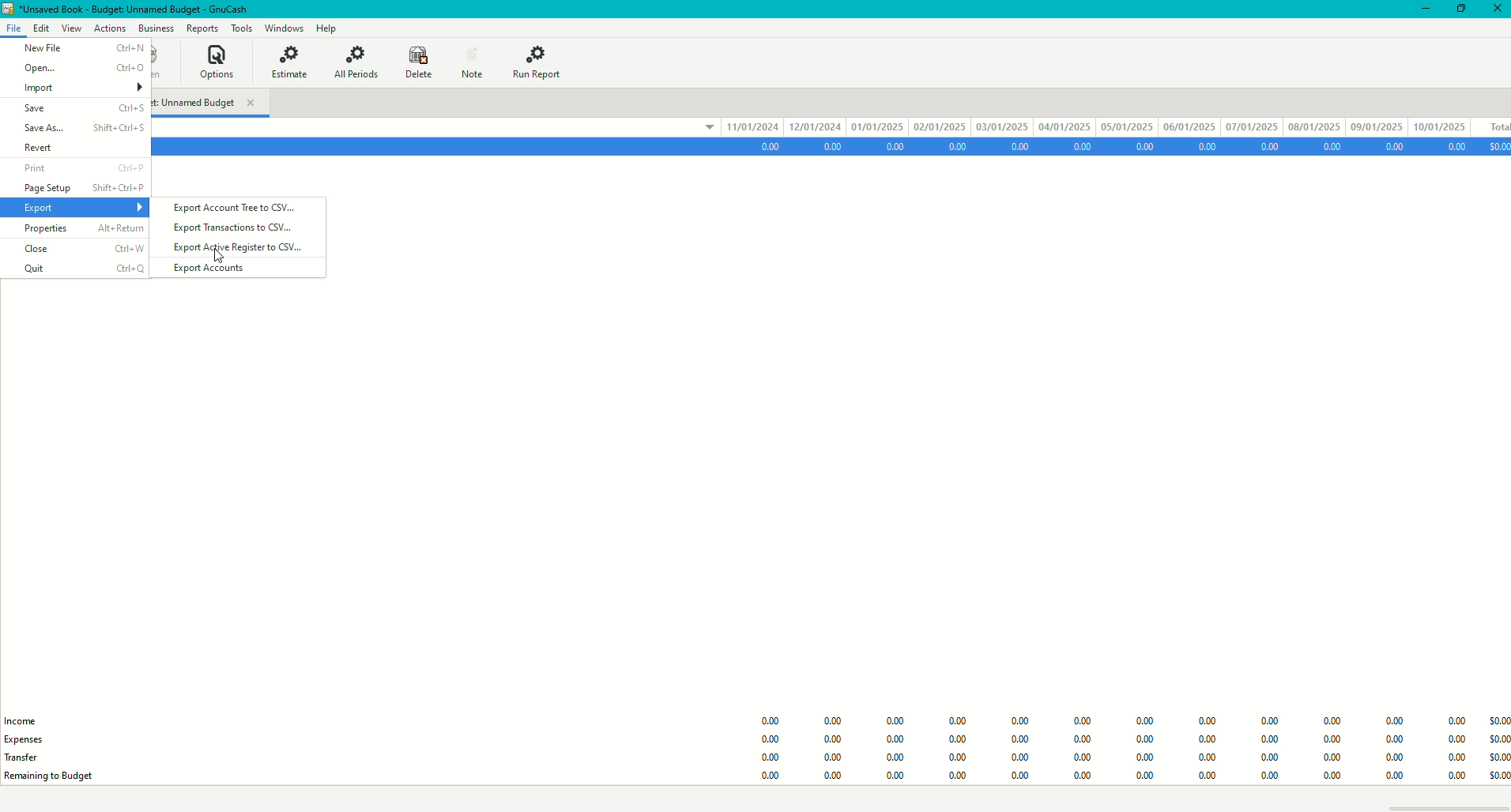  What do you see at coordinates (75, 146) in the screenshot?
I see `Reset` at bounding box center [75, 146].